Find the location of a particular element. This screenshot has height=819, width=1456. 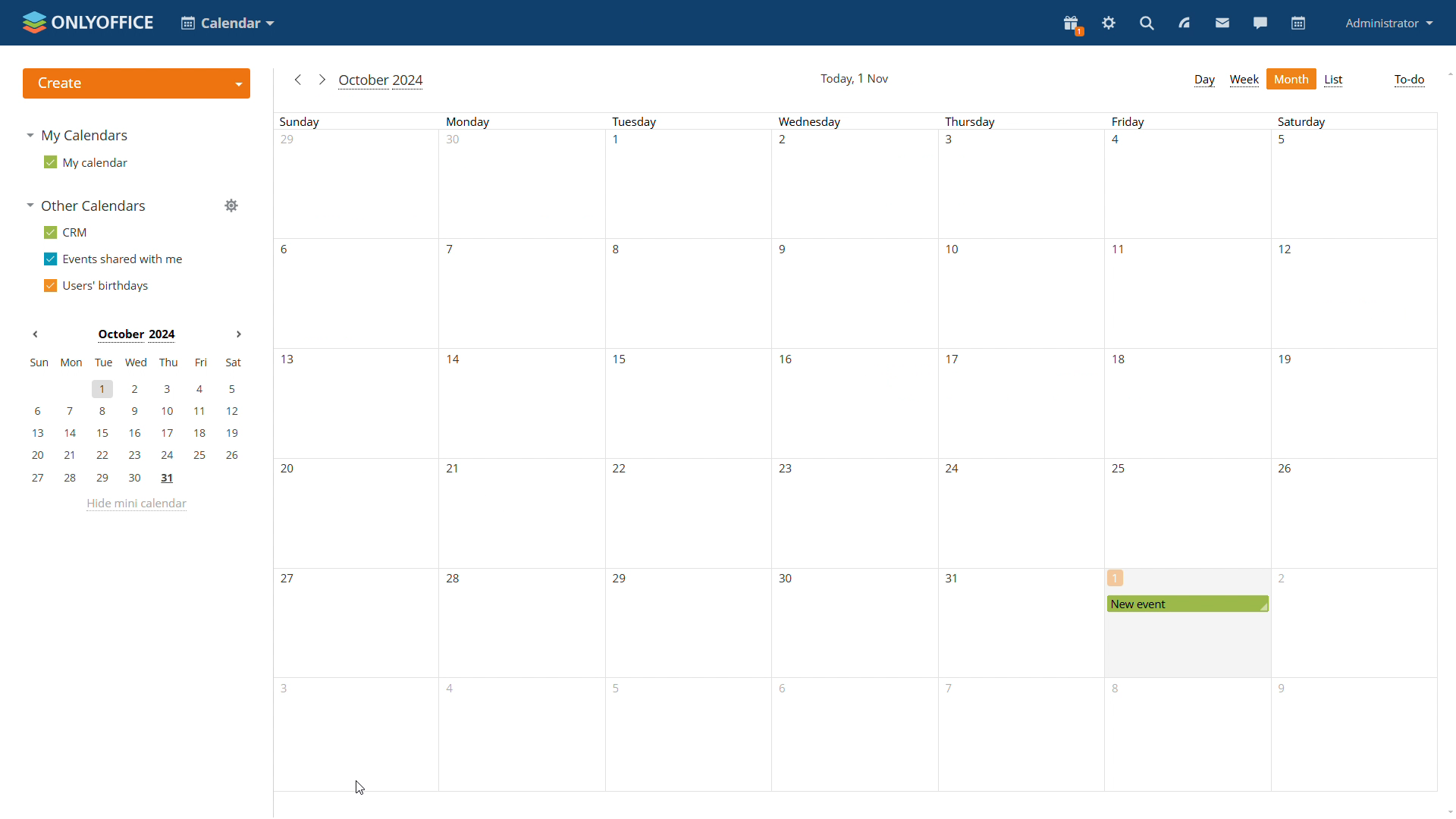

Tuesday is located at coordinates (689, 453).